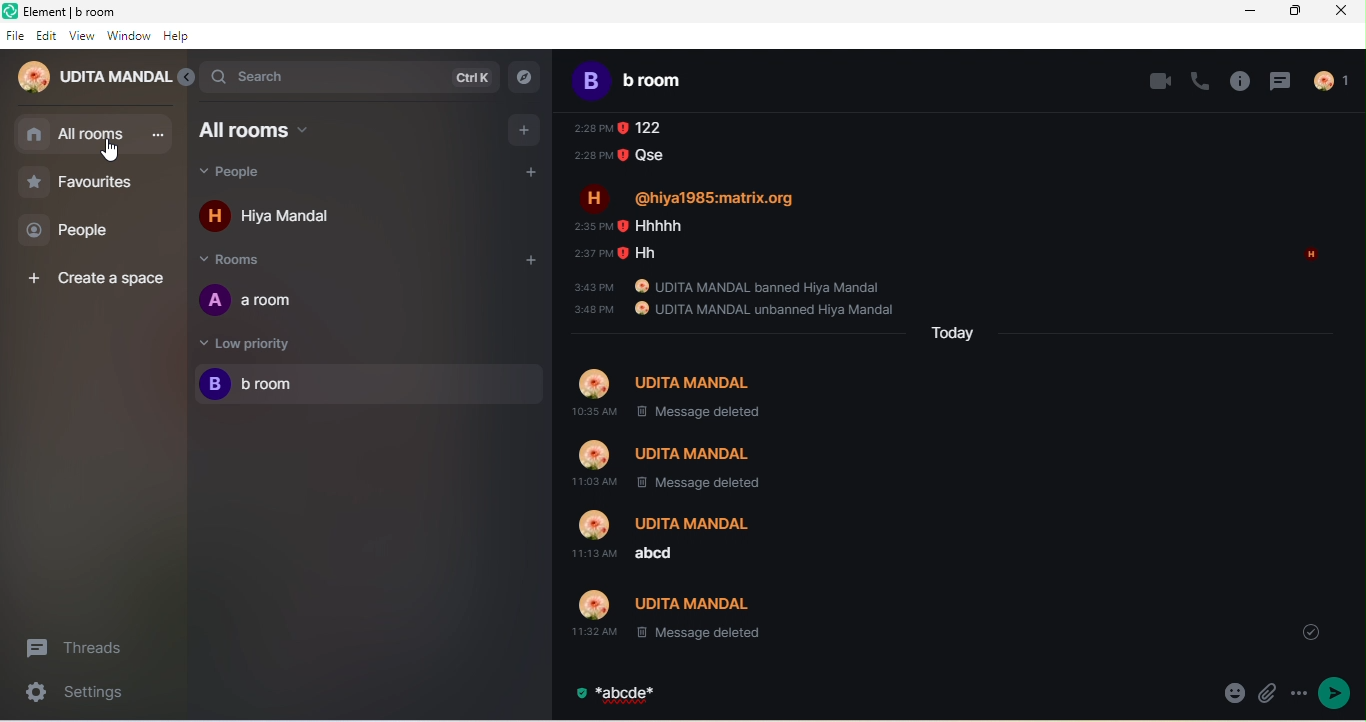  I want to click on low priority, so click(251, 342).